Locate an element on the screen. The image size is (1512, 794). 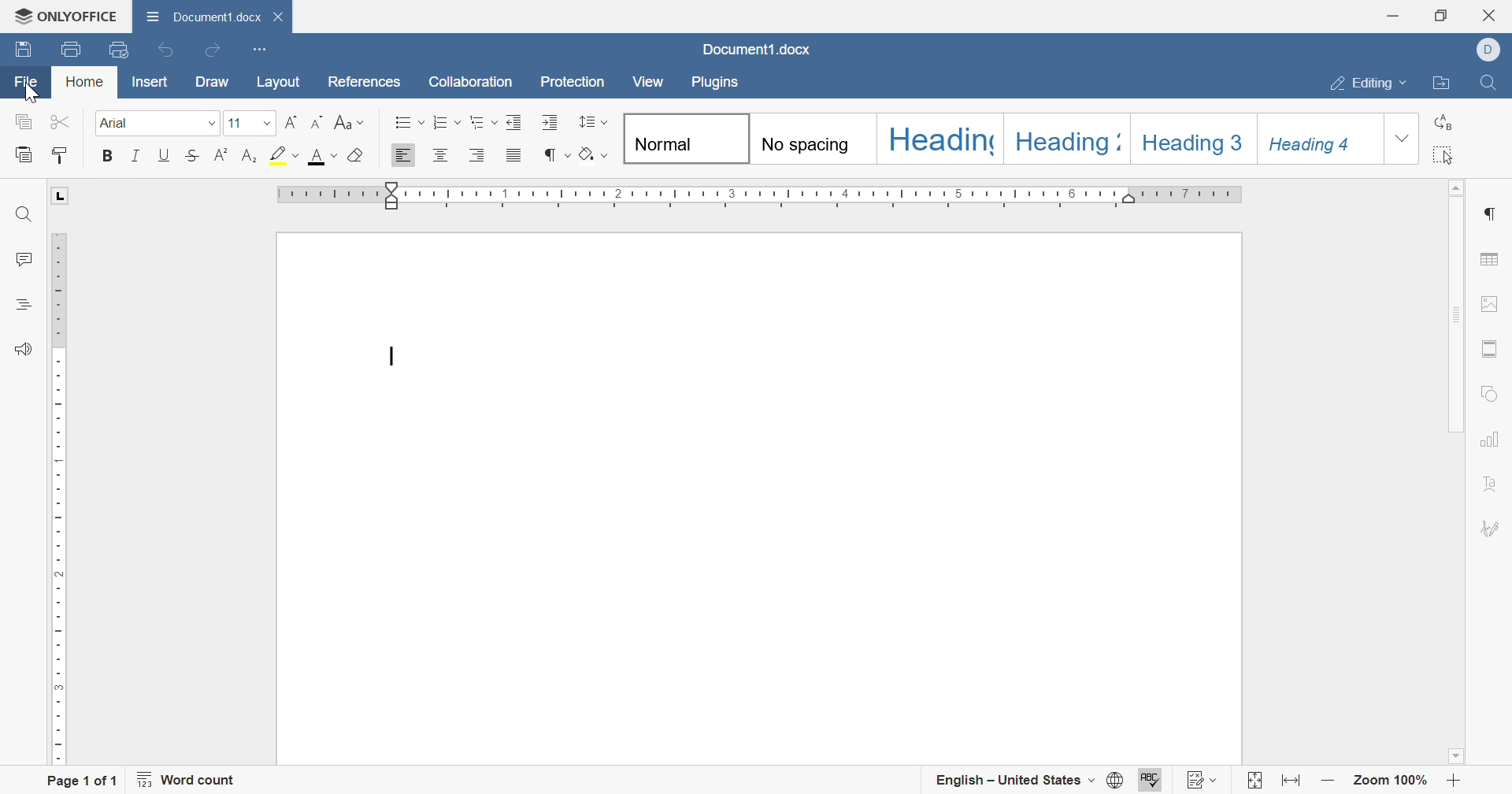
numbering is located at coordinates (447, 121).